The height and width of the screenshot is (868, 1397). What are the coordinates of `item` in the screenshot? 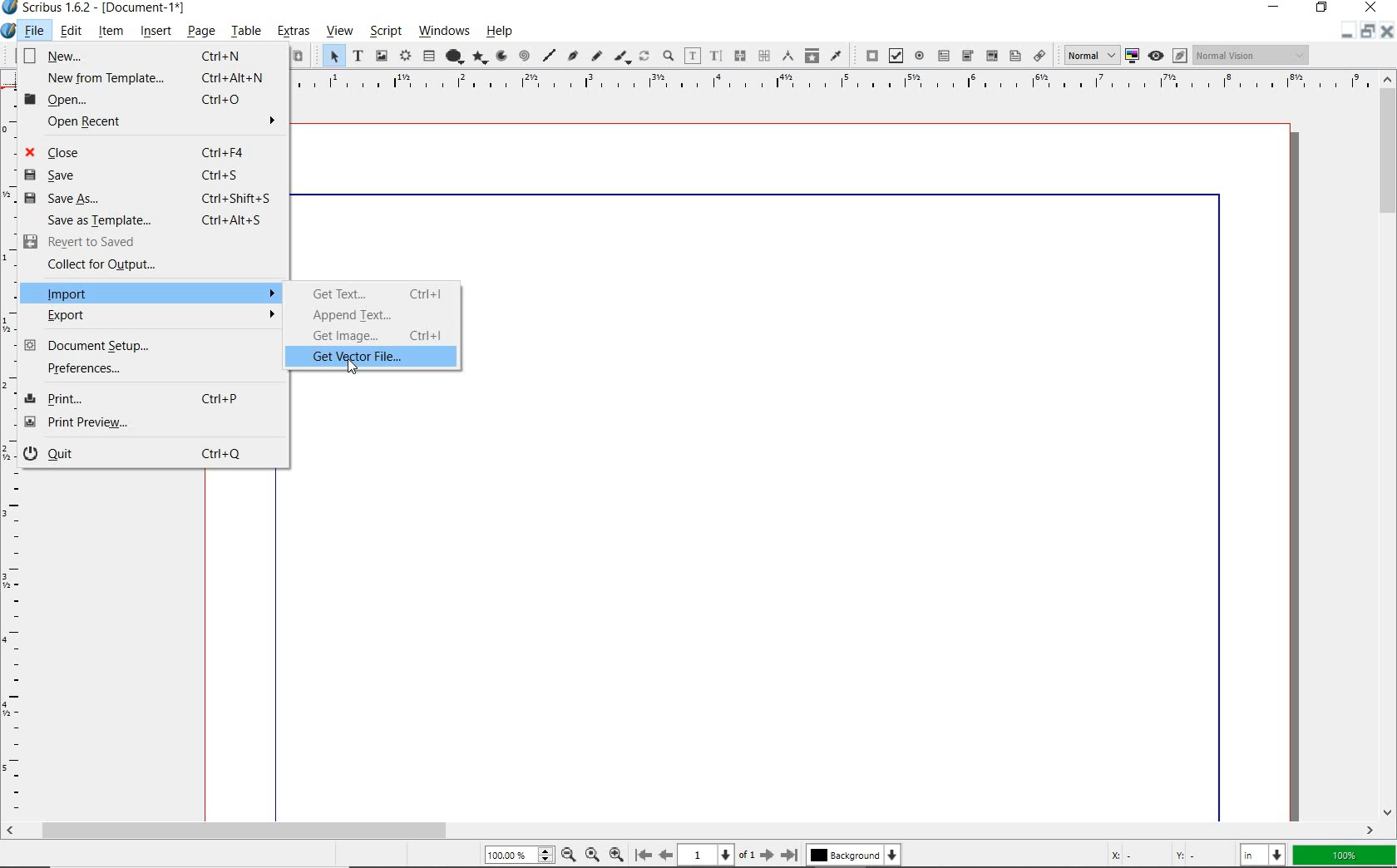 It's located at (111, 32).